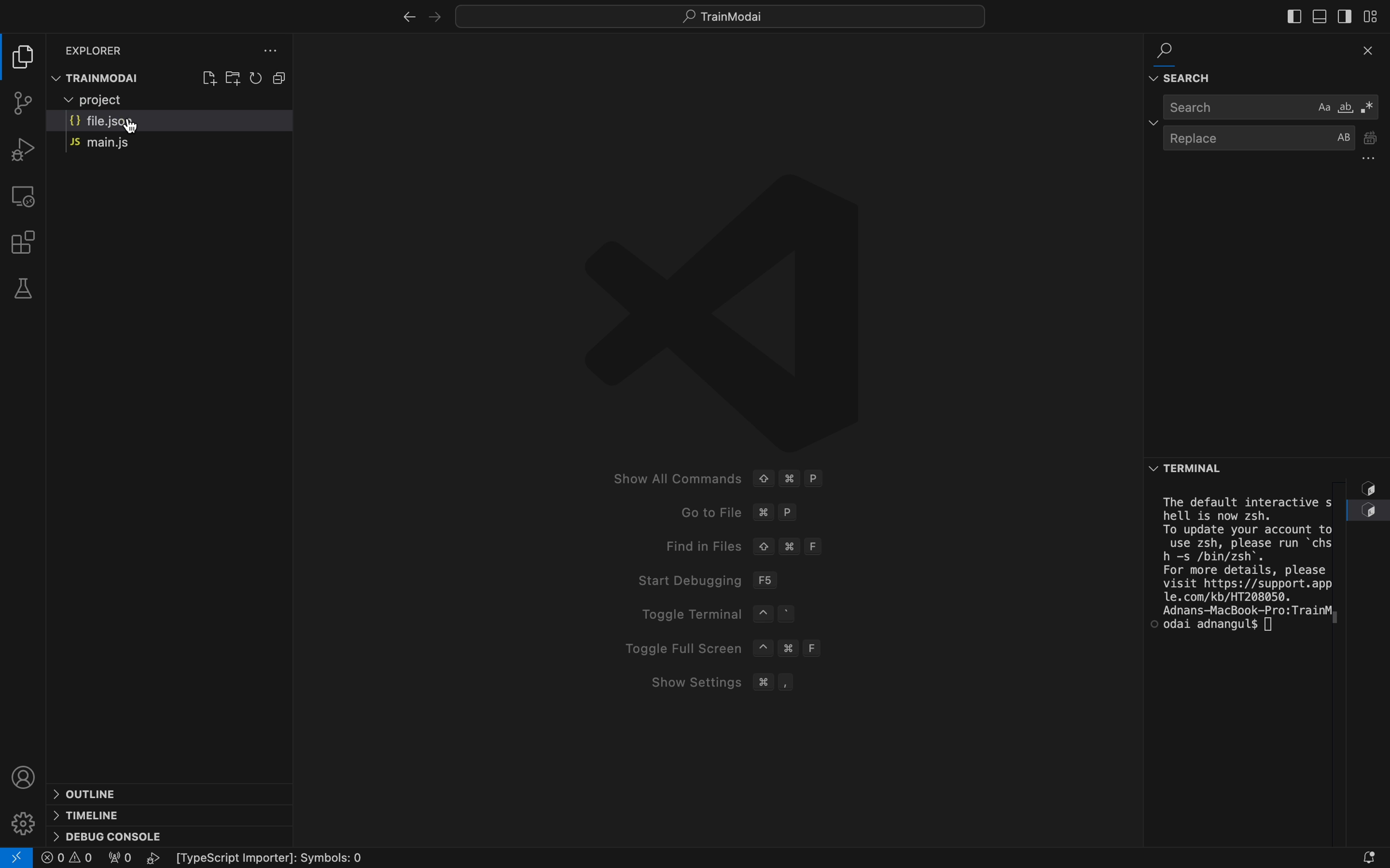 The image size is (1390, 868). I want to click on trainmodai, so click(99, 76).